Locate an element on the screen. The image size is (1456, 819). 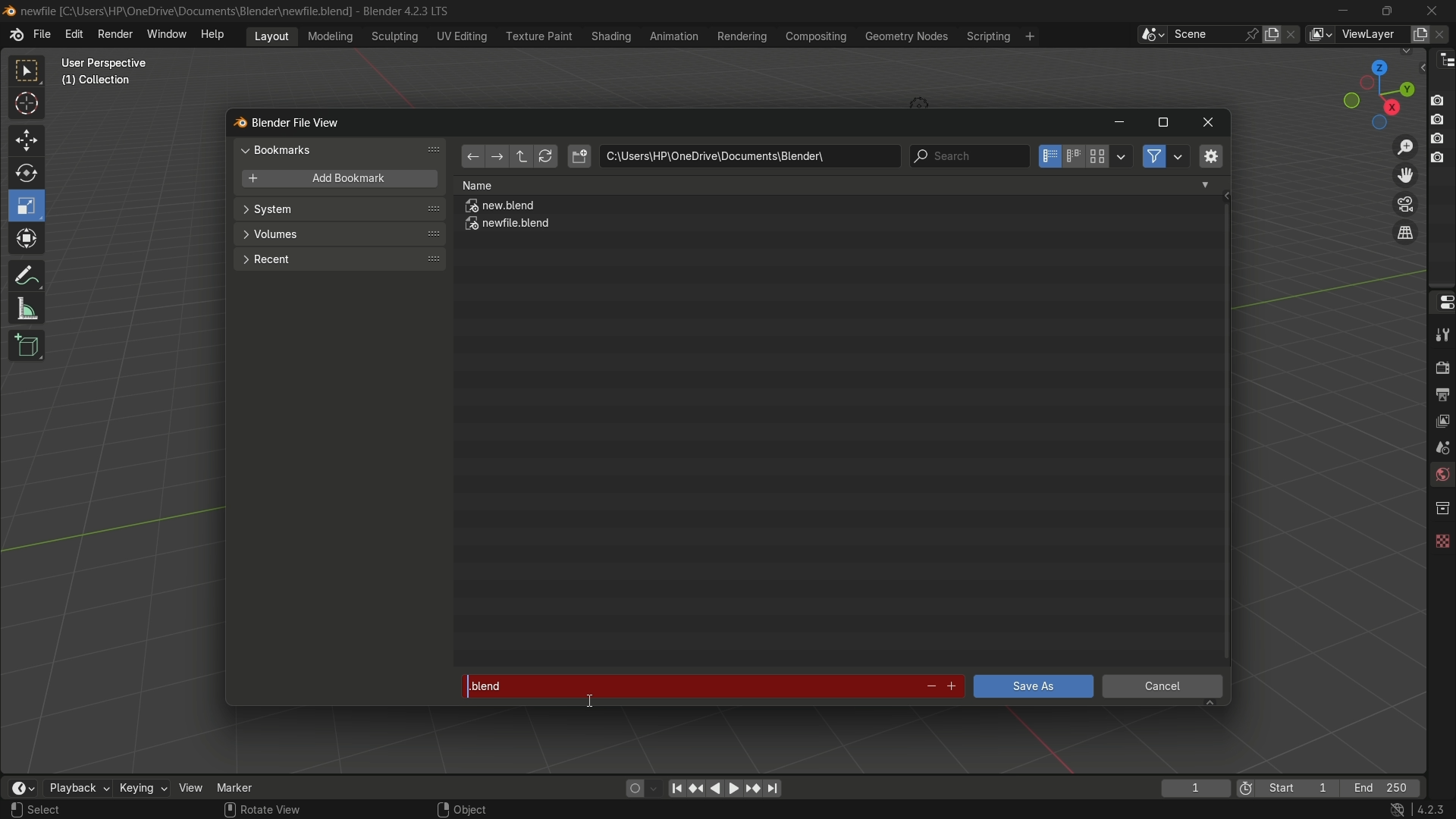
new.blend file is located at coordinates (501, 208).